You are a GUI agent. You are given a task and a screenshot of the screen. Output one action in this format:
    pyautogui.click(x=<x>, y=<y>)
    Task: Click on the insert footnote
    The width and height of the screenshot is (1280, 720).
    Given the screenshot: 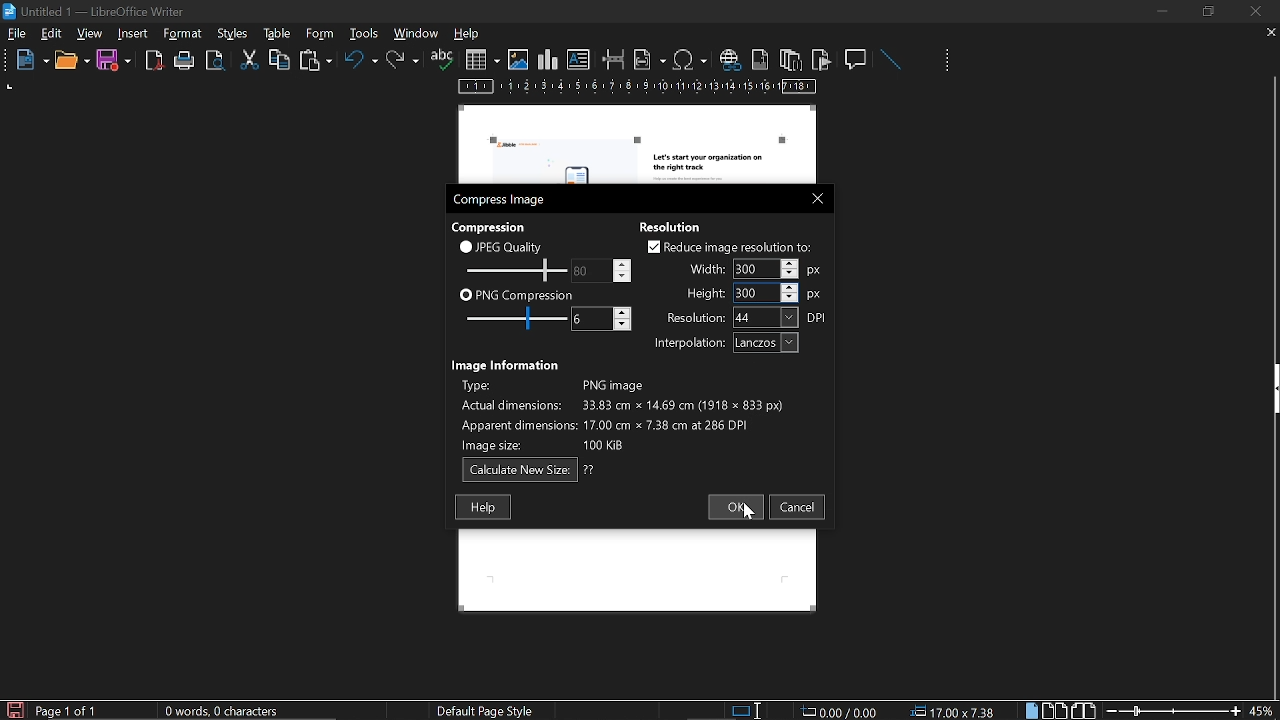 What is the action you would take?
    pyautogui.click(x=758, y=59)
    